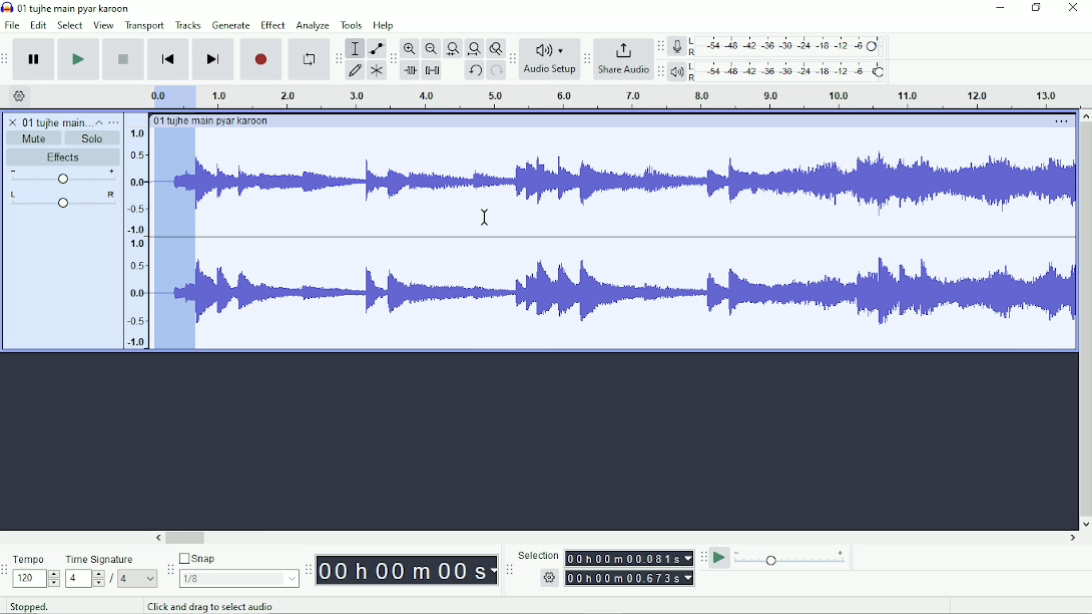 The image size is (1092, 614). I want to click on Pause, so click(35, 60).